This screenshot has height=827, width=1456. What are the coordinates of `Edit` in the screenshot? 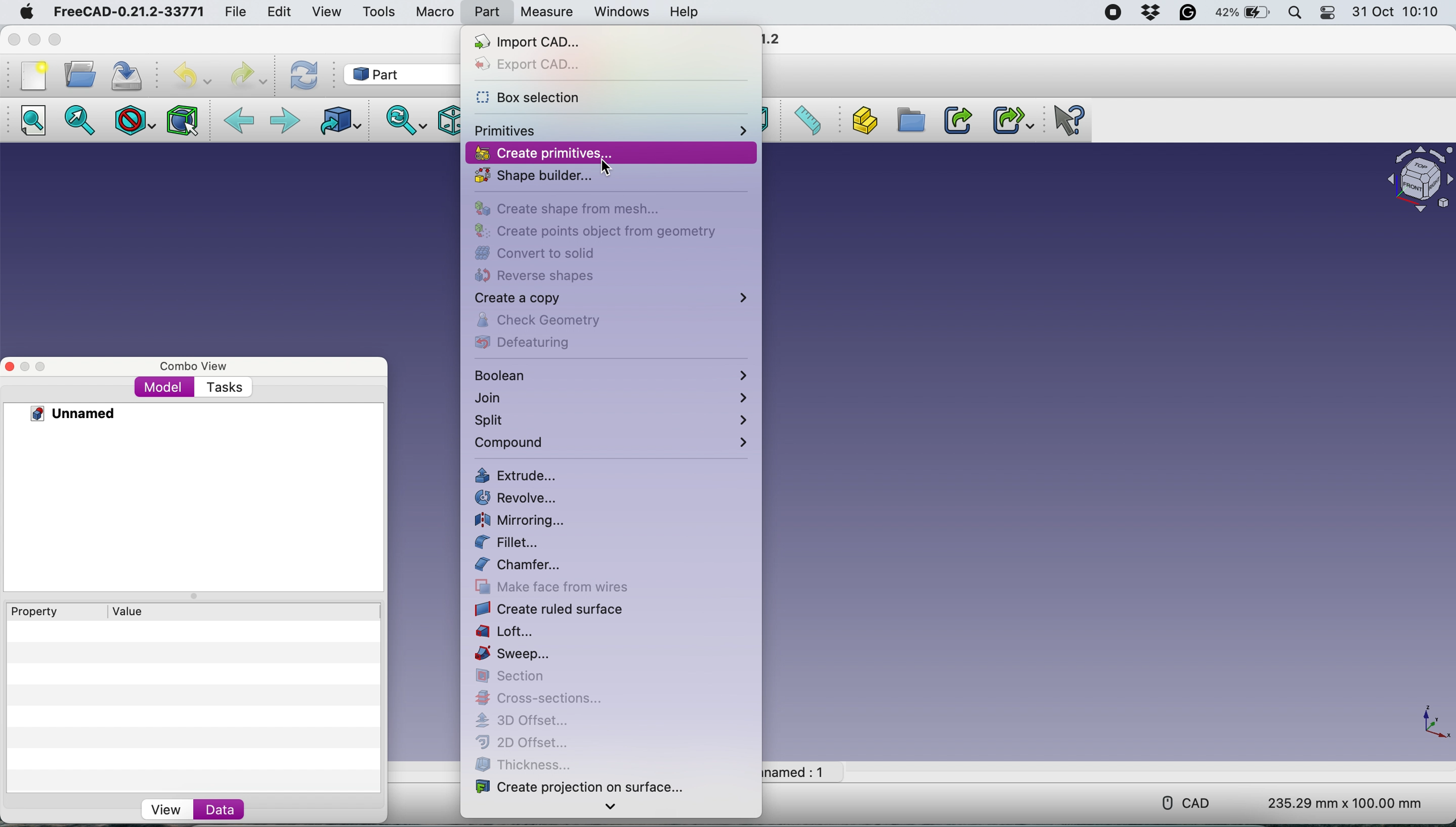 It's located at (282, 12).